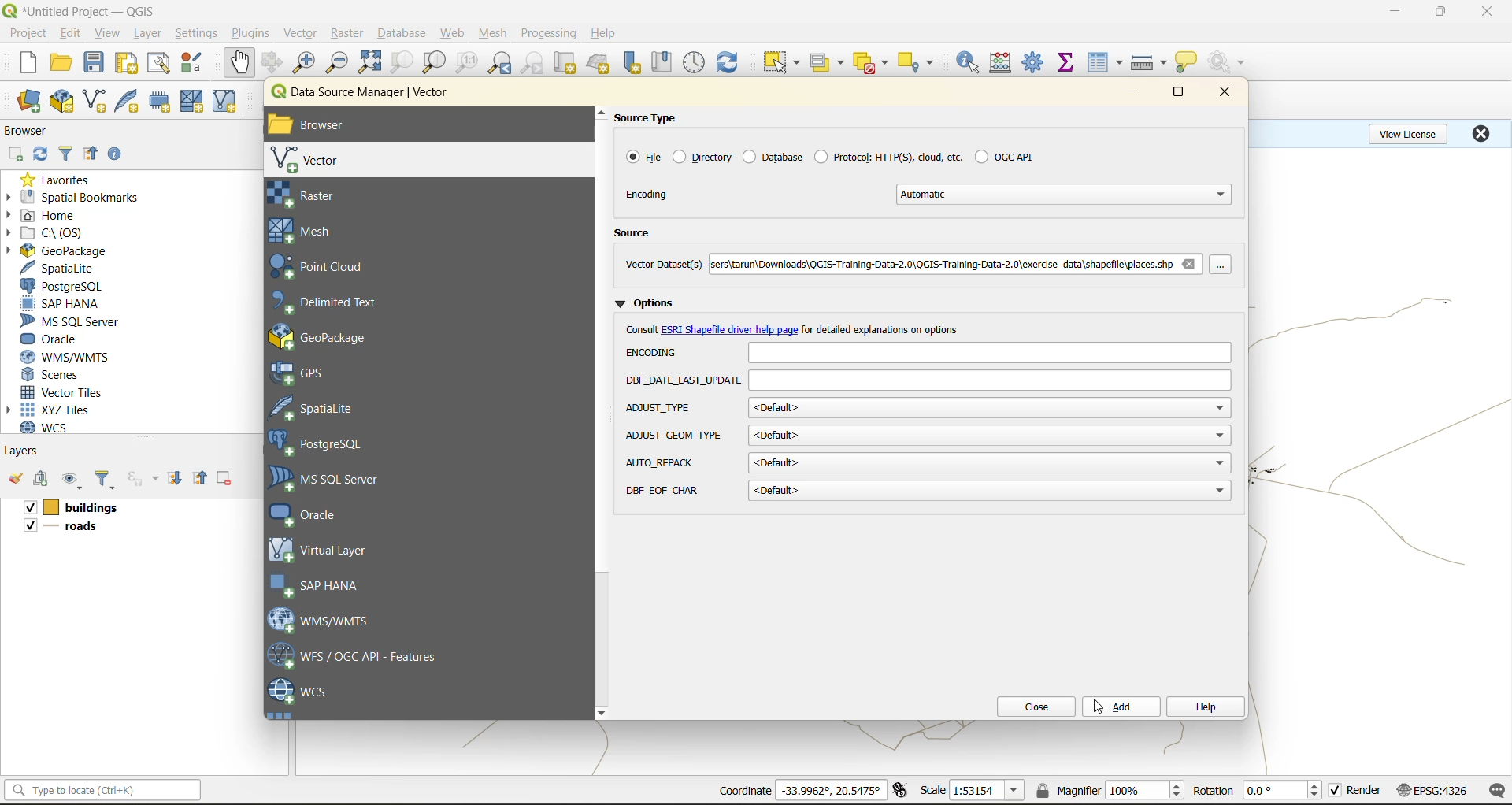  I want to click on scrollbar, so click(602, 413).